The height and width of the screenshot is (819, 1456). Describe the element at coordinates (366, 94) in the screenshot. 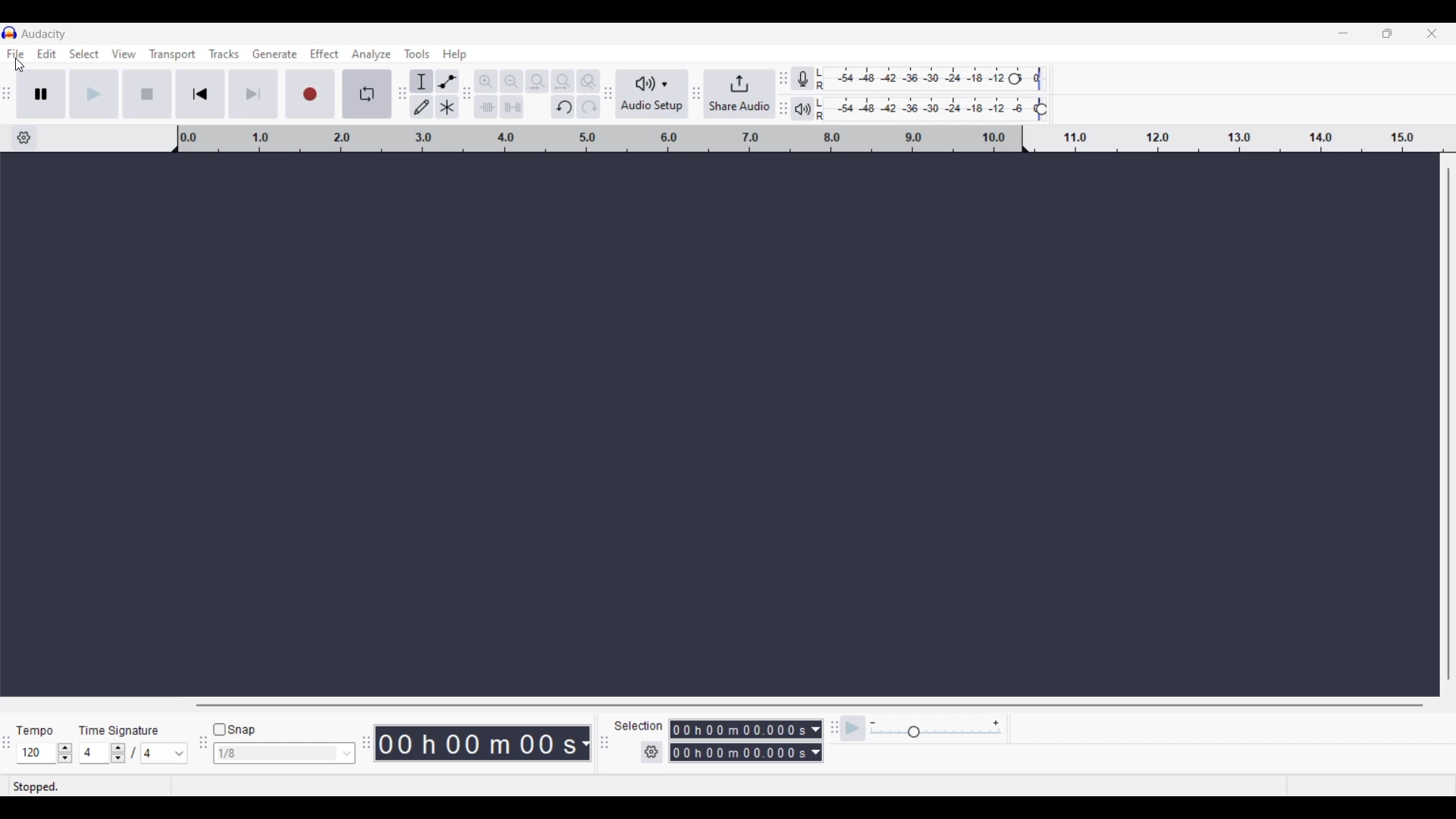

I see `Enable looping` at that location.